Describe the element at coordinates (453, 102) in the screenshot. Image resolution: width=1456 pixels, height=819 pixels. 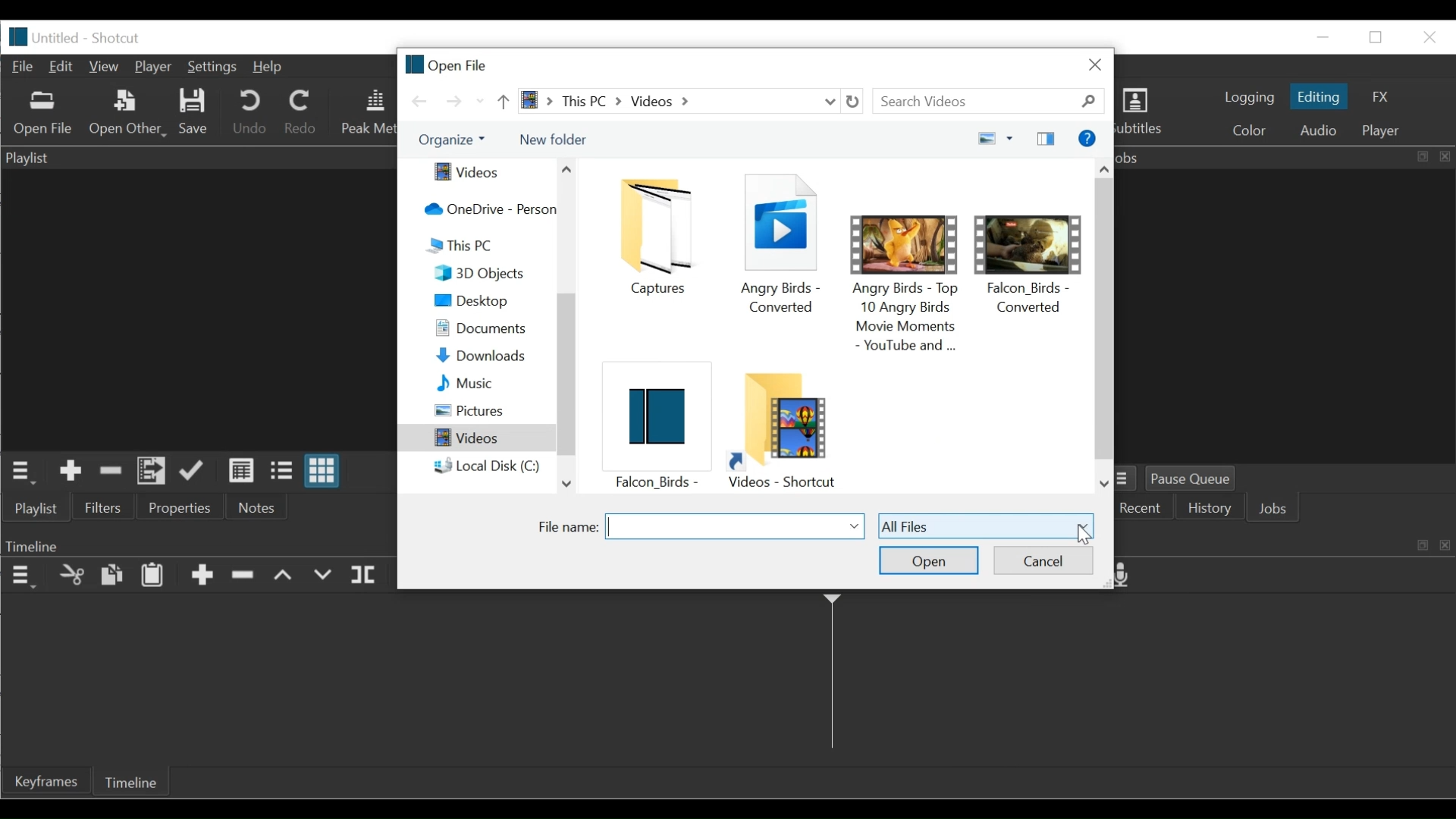
I see `Go forward` at that location.